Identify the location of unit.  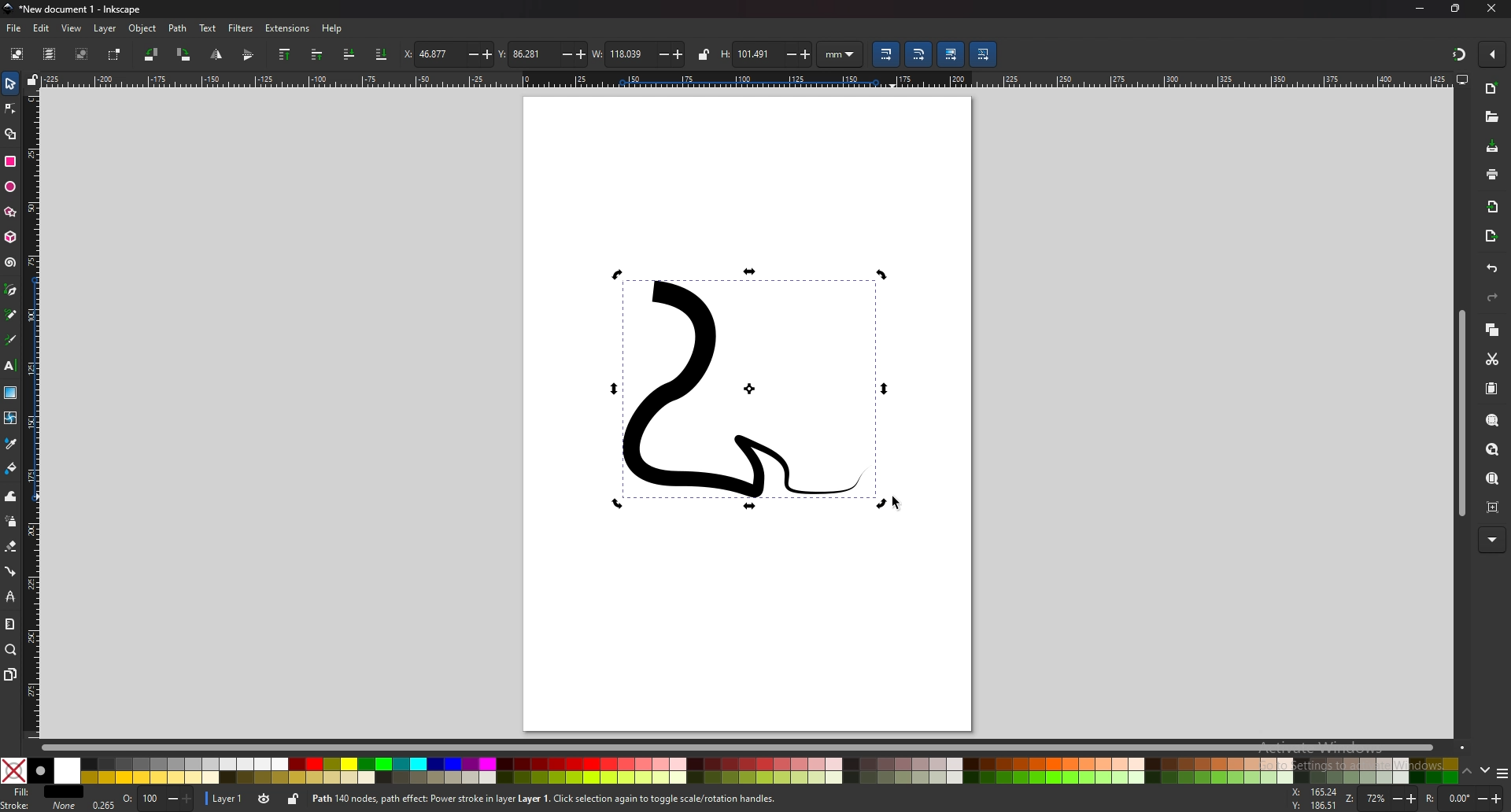
(840, 55).